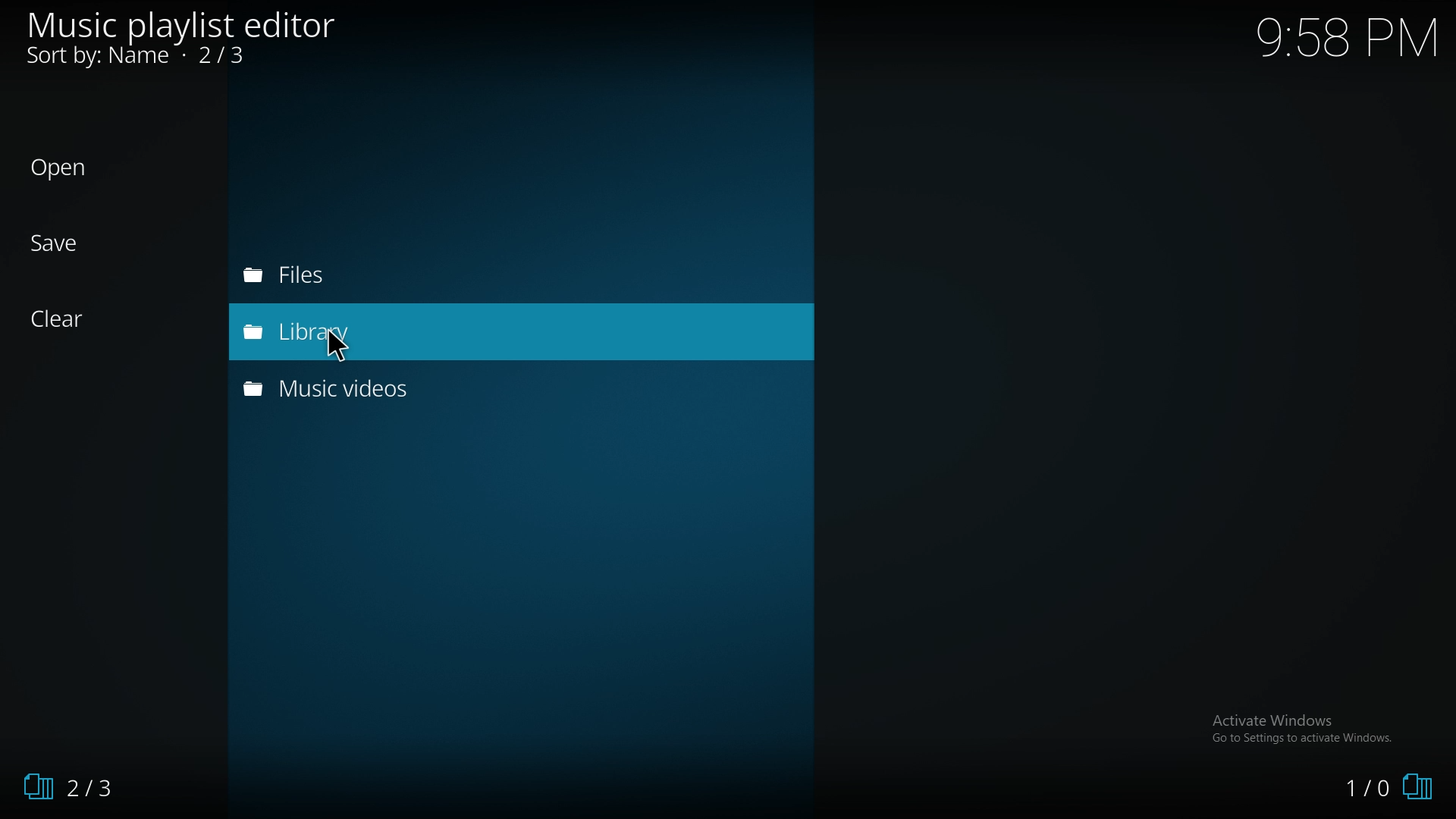 Image resolution: width=1456 pixels, height=819 pixels. Describe the element at coordinates (115, 165) in the screenshot. I see `open` at that location.